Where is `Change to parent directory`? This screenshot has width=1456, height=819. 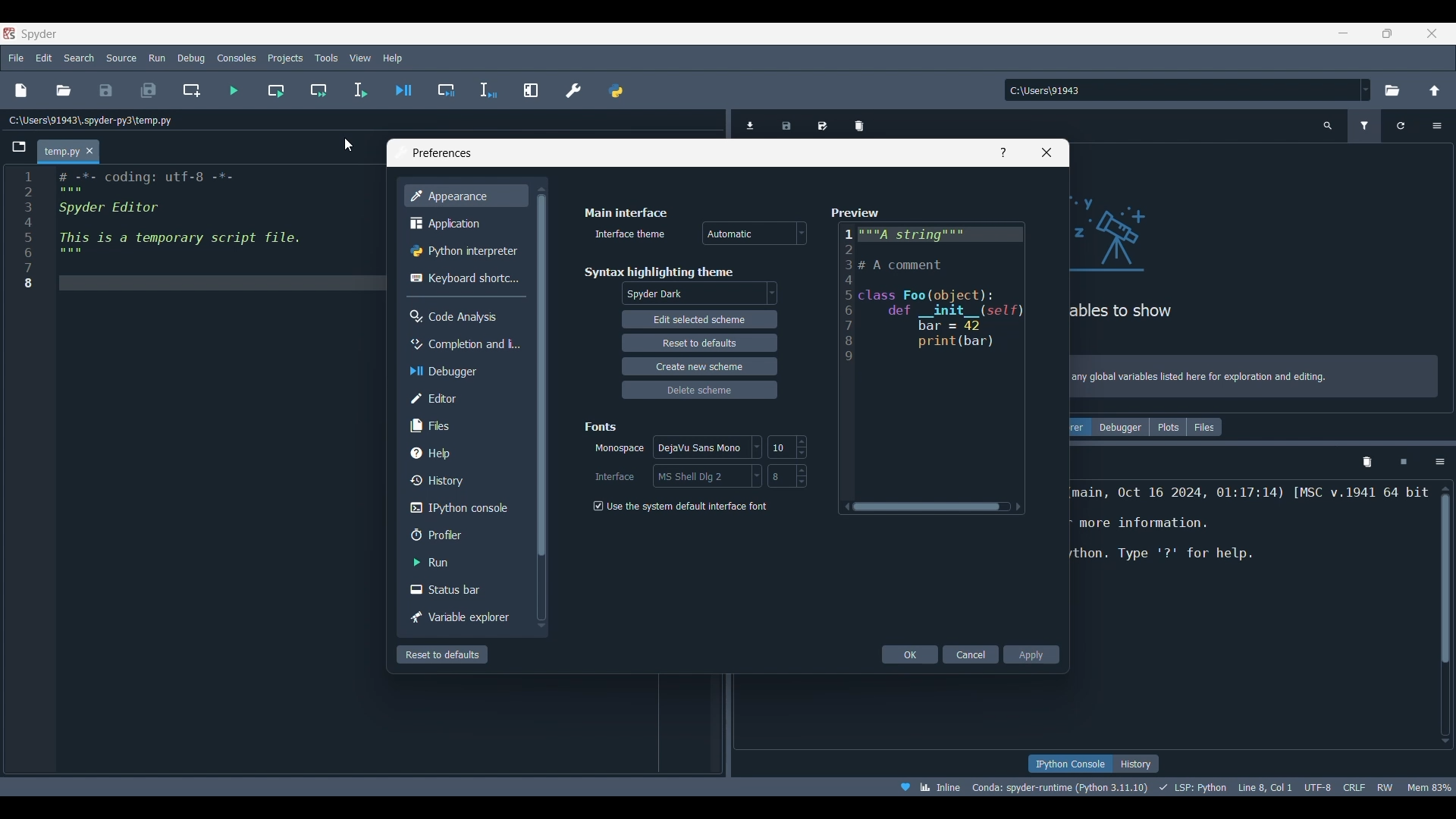
Change to parent directory is located at coordinates (1435, 91).